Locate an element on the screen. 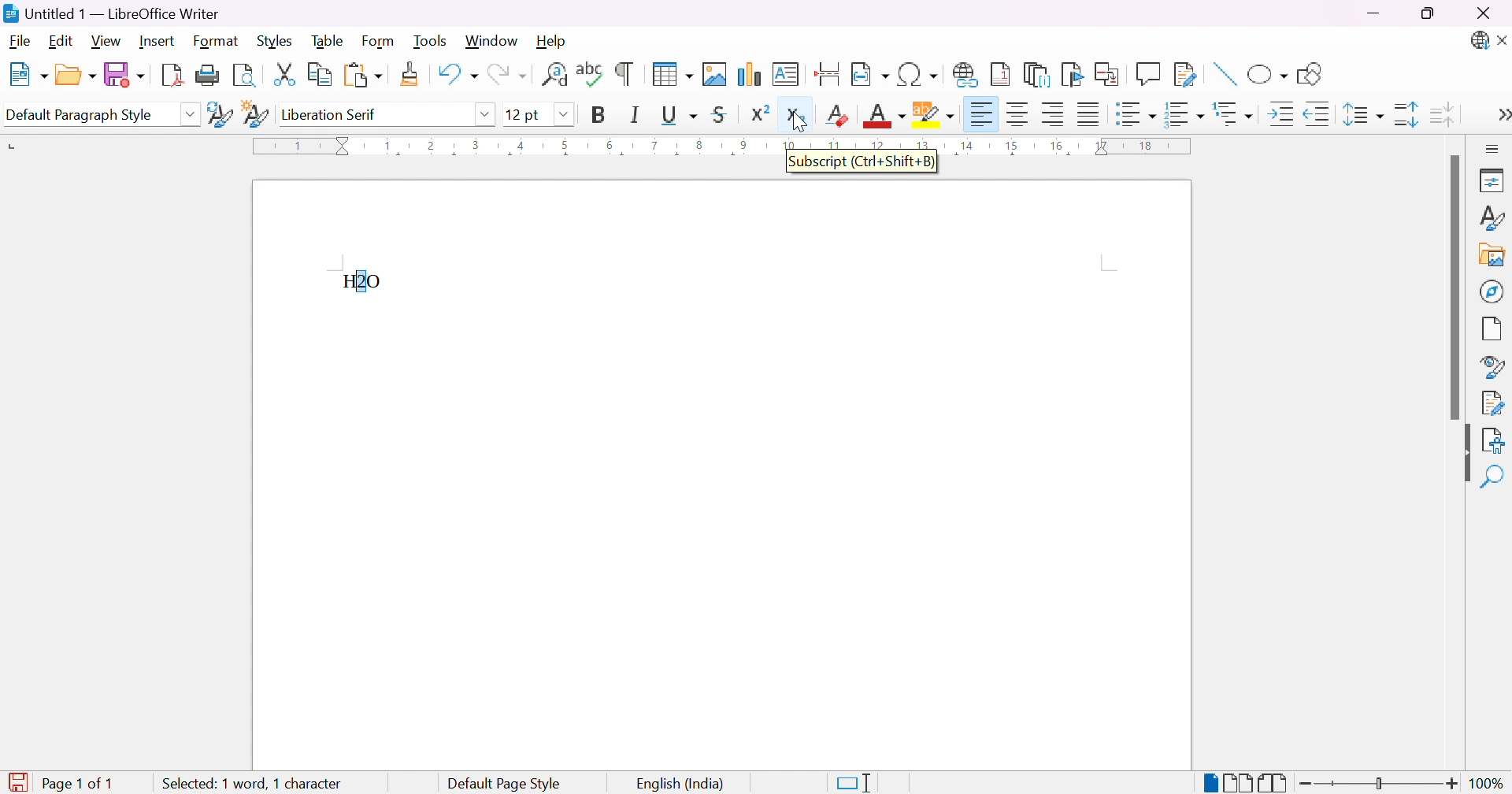  Book view is located at coordinates (1273, 783).